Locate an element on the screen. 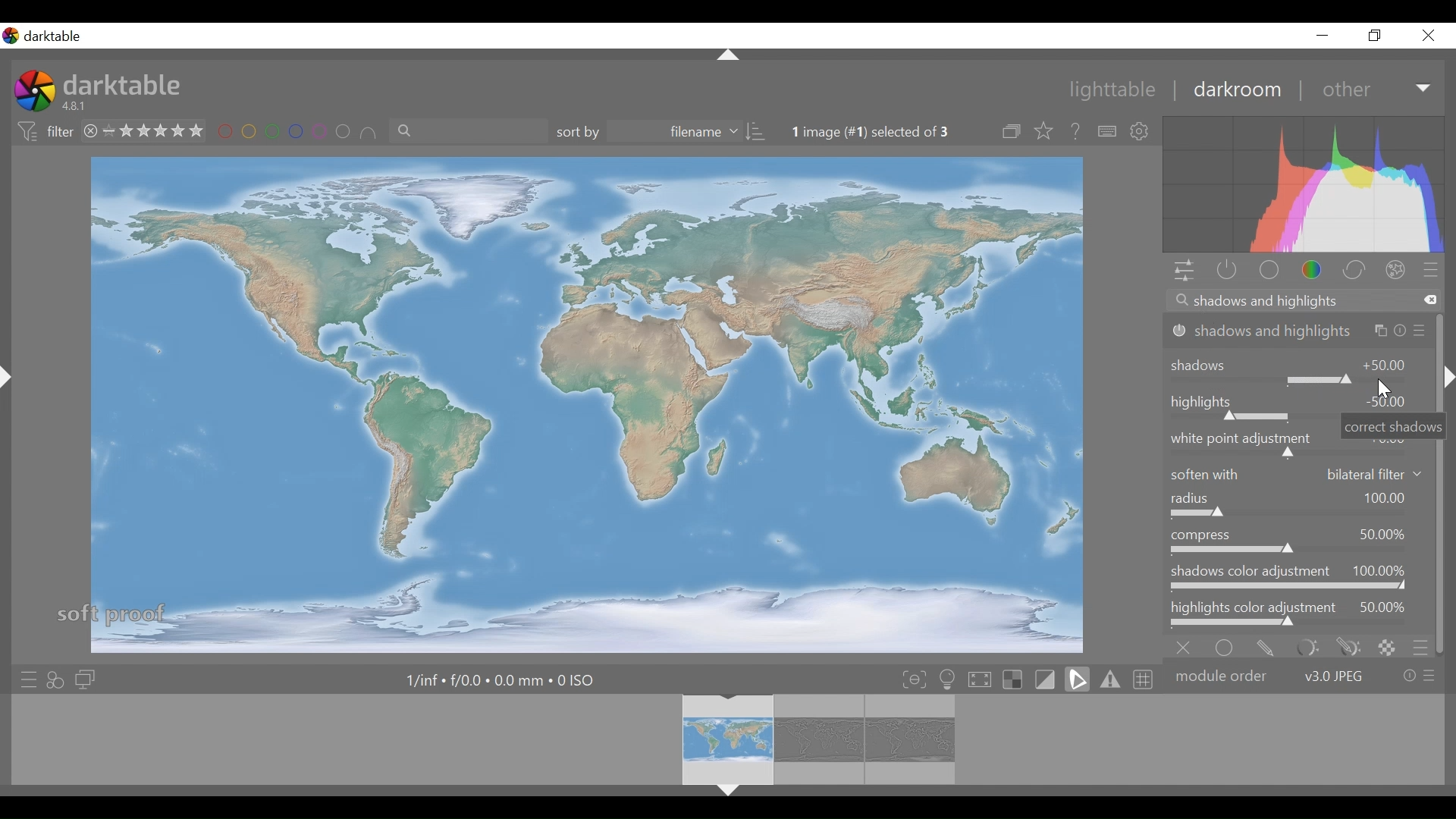 Image resolution: width=1456 pixels, height=819 pixels.  is located at coordinates (1454, 376).